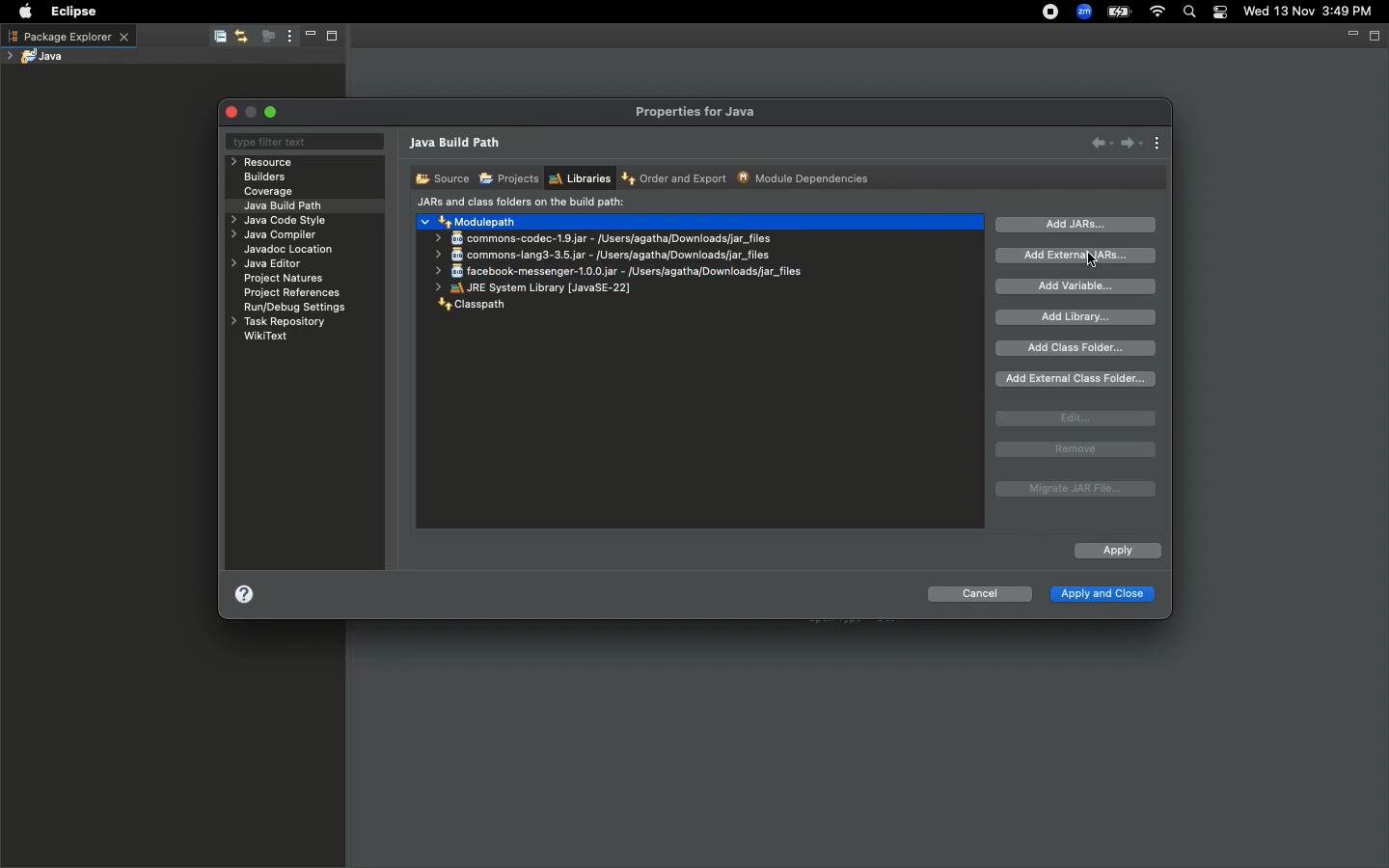 This screenshot has height=868, width=1389. I want to click on Minimize, so click(309, 37).